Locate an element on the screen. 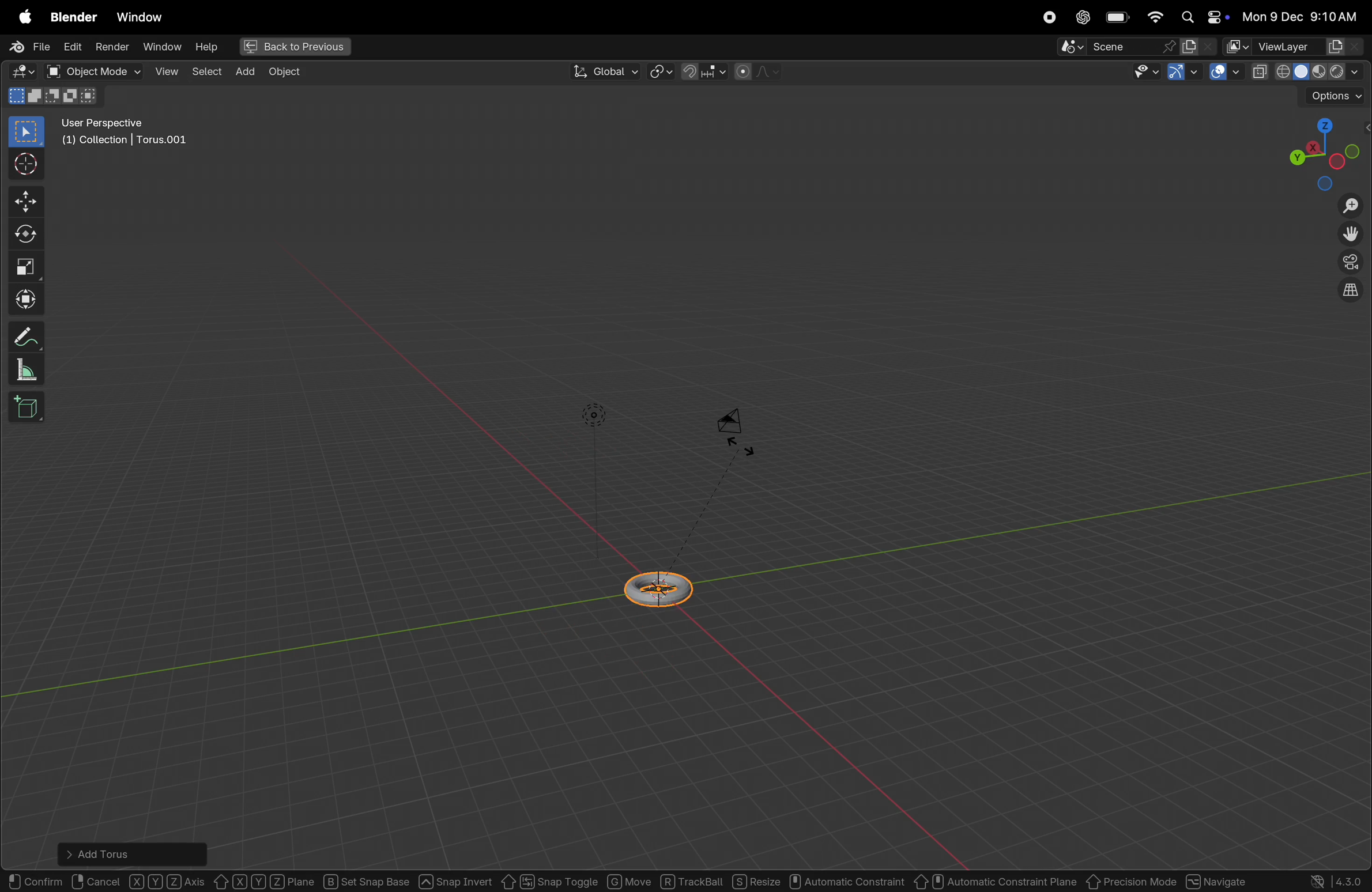 This screenshot has height=892, width=1372. orthogonal perspective is located at coordinates (1350, 292).